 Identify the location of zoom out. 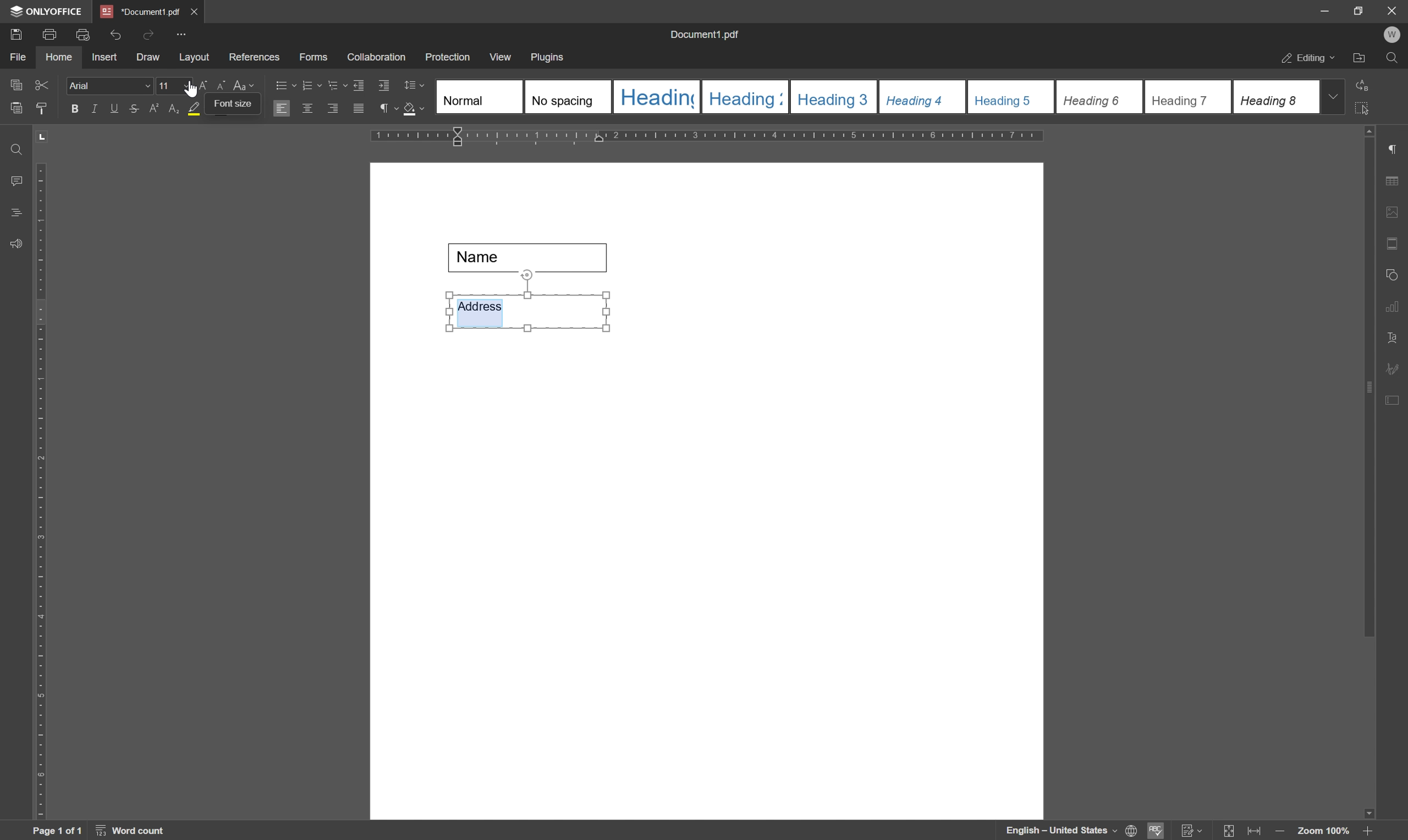
(1282, 832).